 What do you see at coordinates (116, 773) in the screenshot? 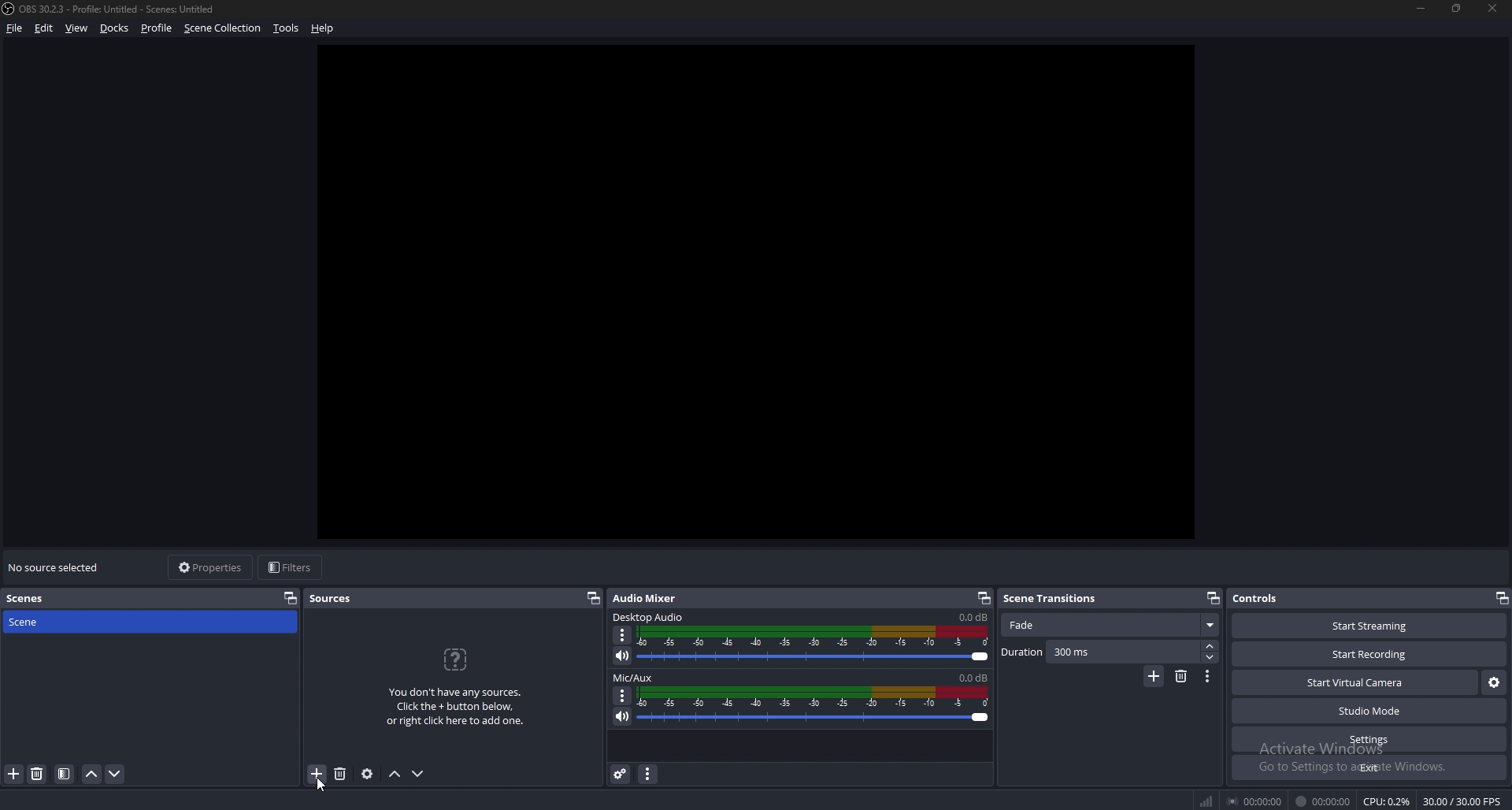
I see `move scene down` at bounding box center [116, 773].